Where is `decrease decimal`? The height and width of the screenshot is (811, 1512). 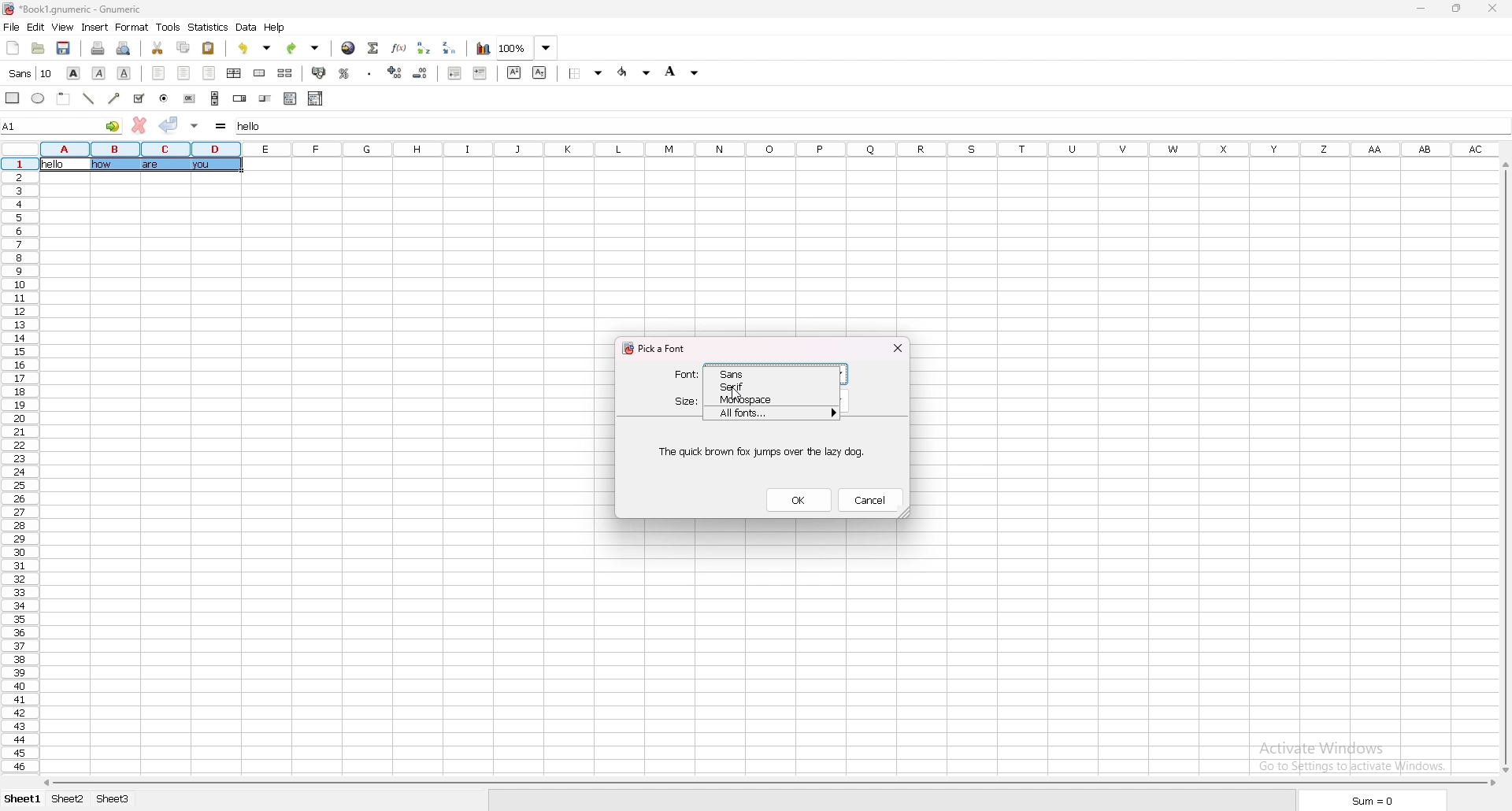 decrease decimal is located at coordinates (421, 73).